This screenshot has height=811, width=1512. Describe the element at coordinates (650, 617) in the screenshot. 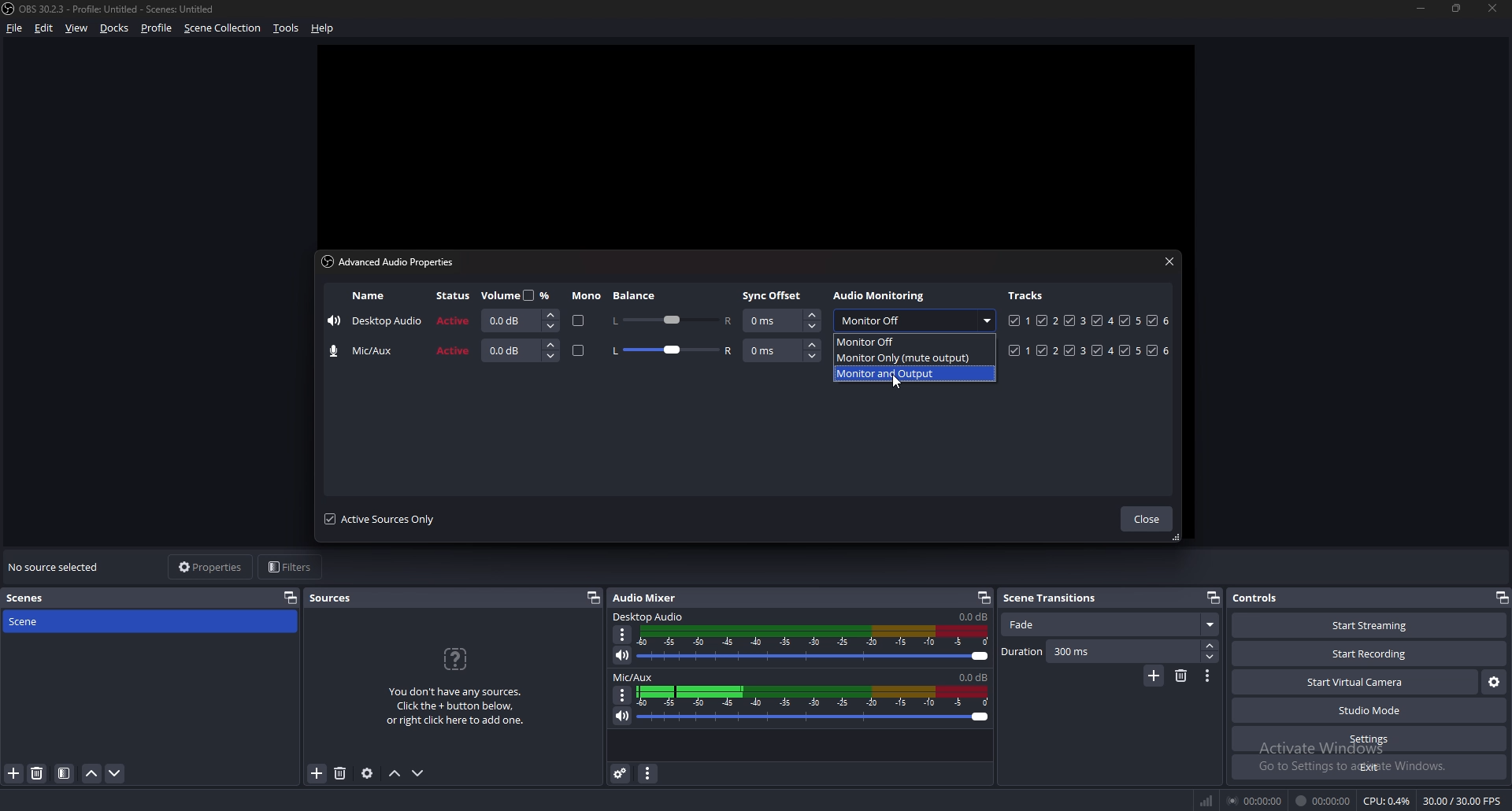

I see `desktop audio` at that location.